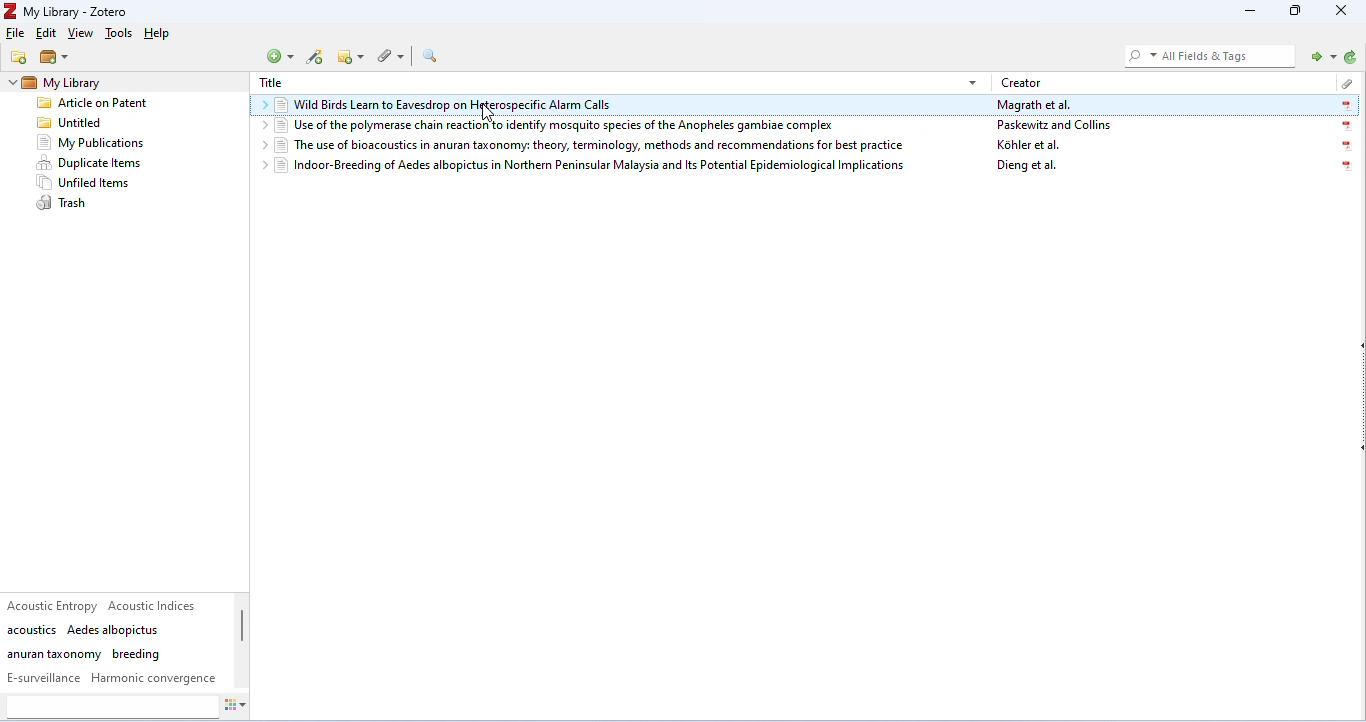 The width and height of the screenshot is (1366, 722). What do you see at coordinates (972, 81) in the screenshot?
I see `drop down` at bounding box center [972, 81].